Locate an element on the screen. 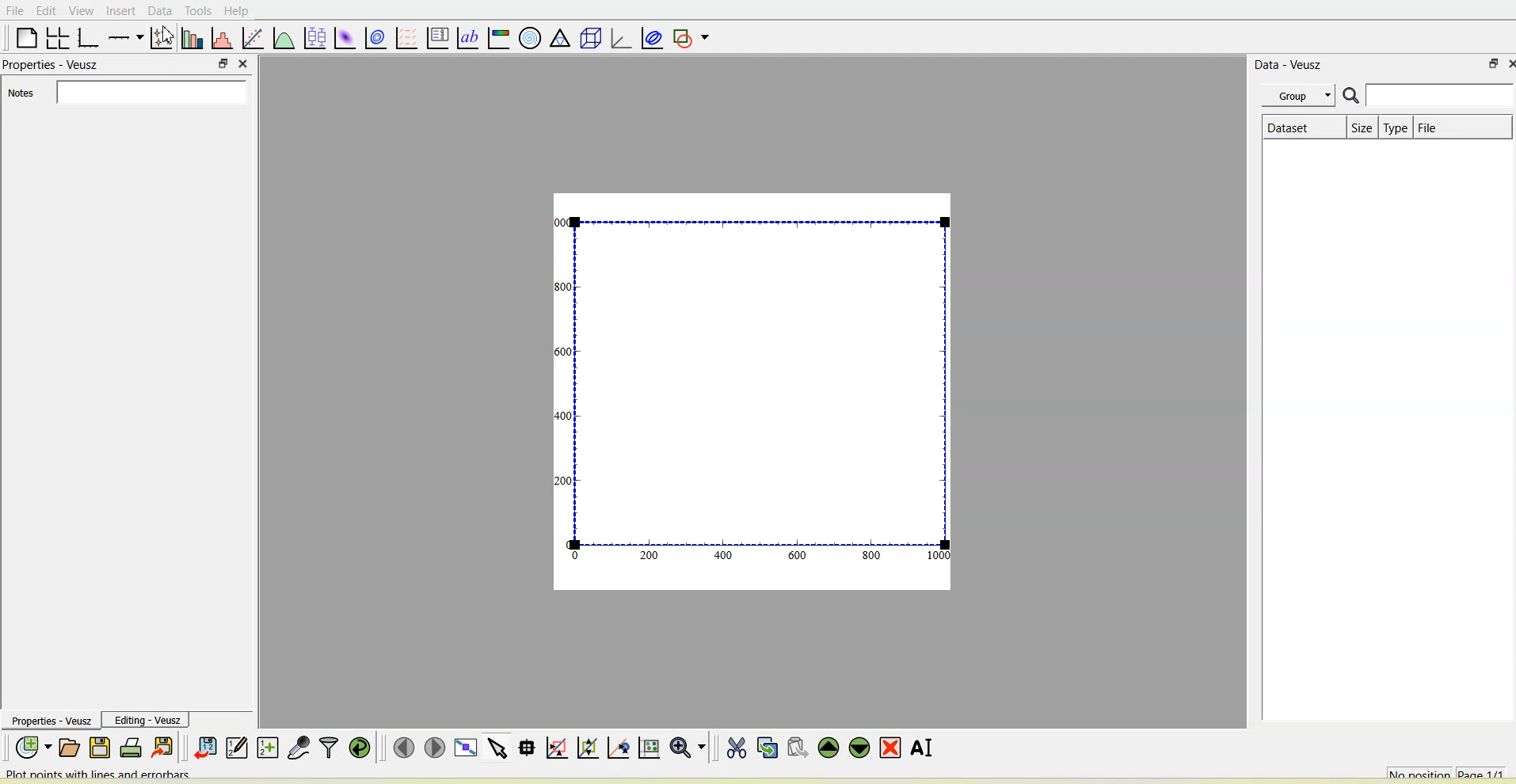 Image resolution: width=1516 pixels, height=784 pixels. Renames the selected widget is located at coordinates (921, 746).